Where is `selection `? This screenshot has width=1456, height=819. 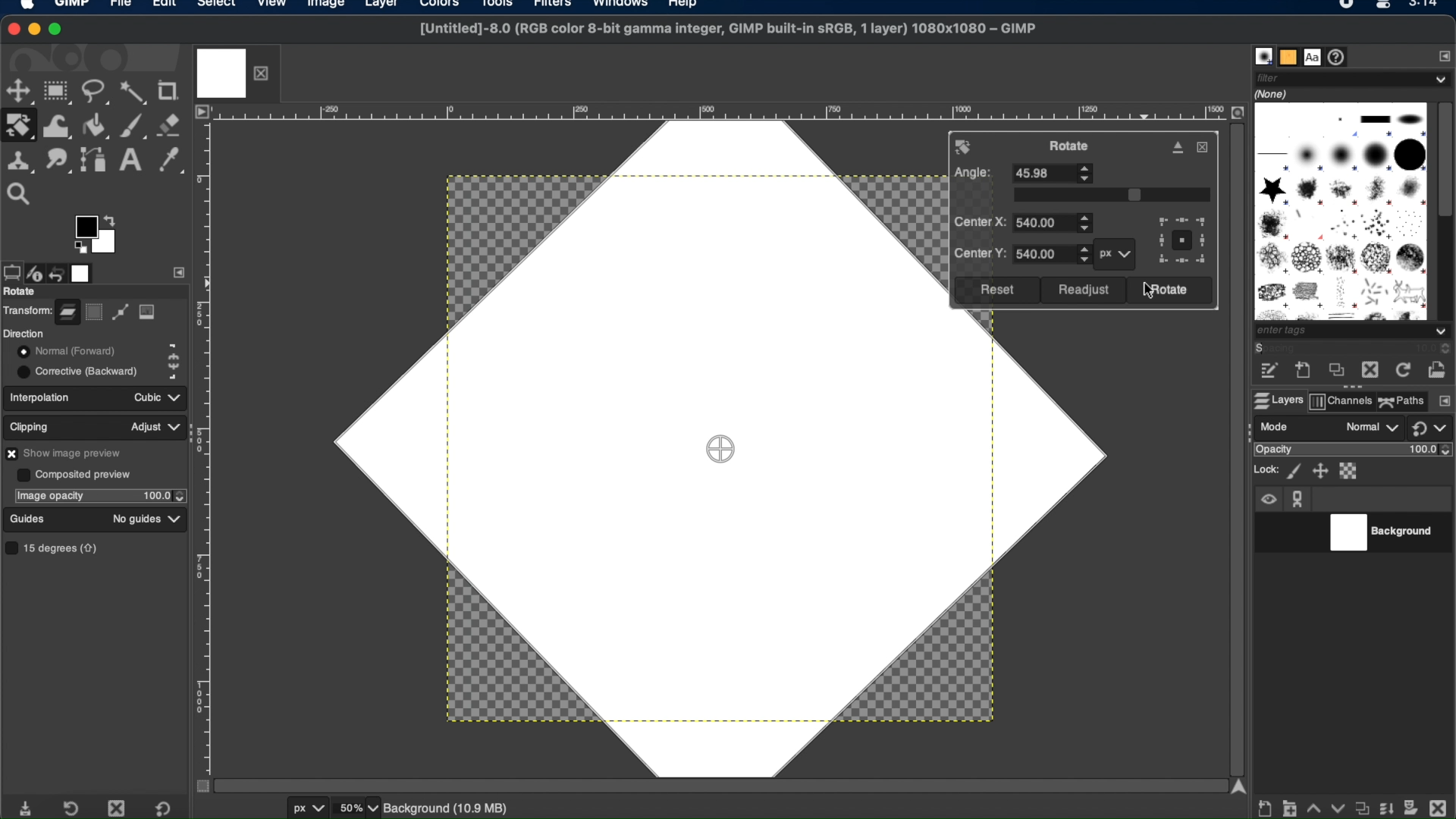
selection  is located at coordinates (95, 312).